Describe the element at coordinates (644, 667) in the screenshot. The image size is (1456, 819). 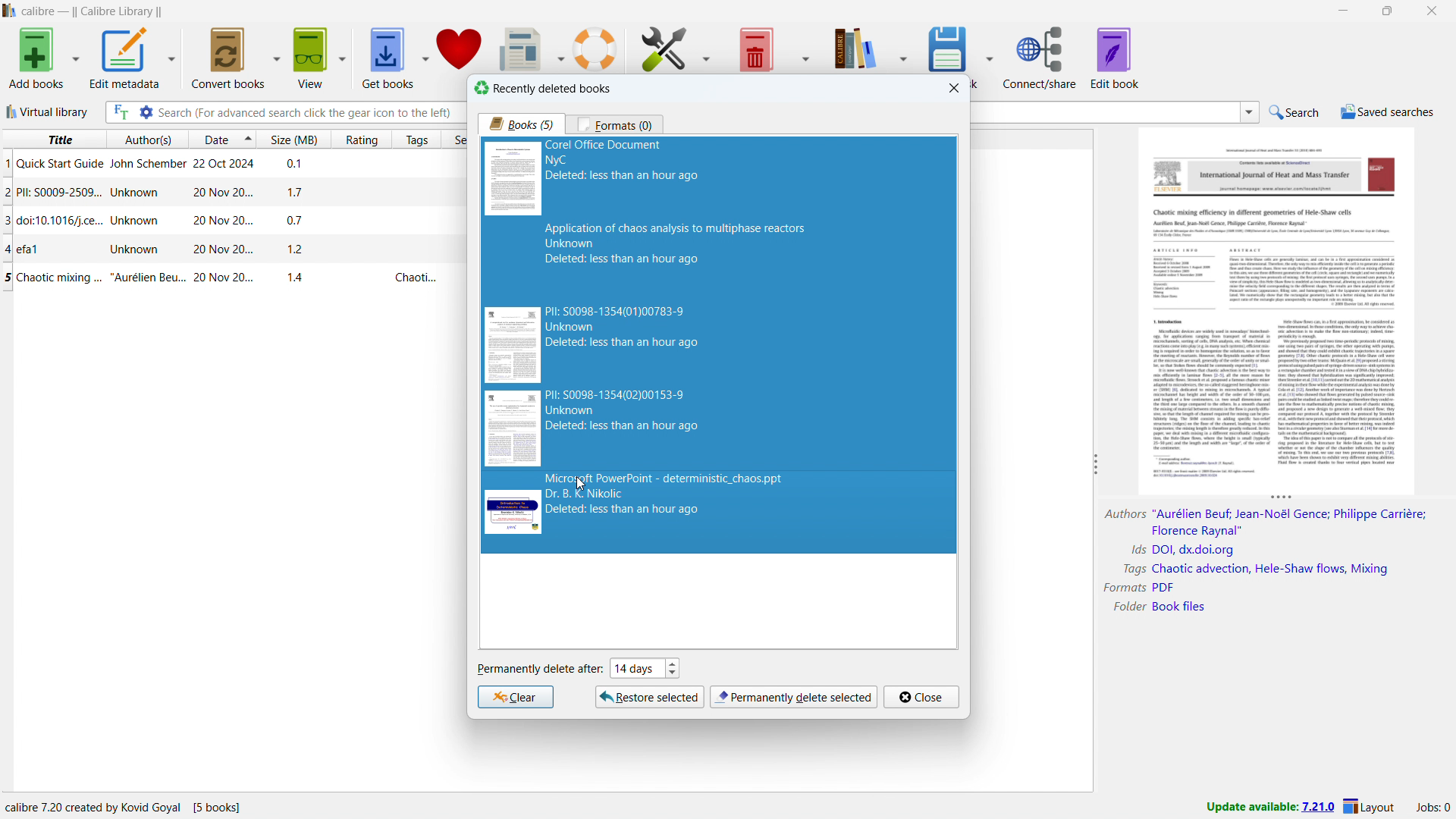
I see `set when to permanently delete` at that location.